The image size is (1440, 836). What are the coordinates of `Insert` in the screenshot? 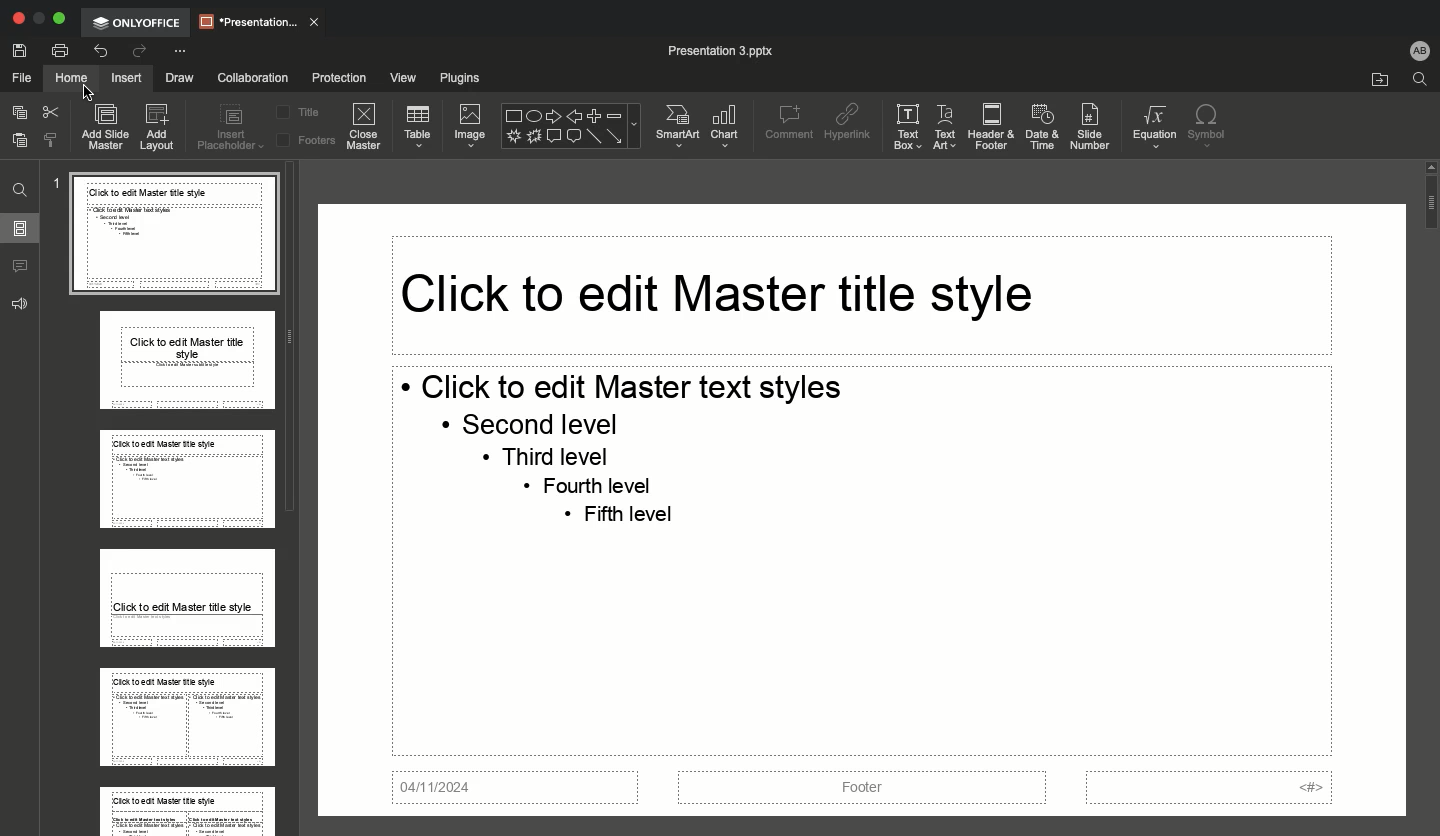 It's located at (126, 76).